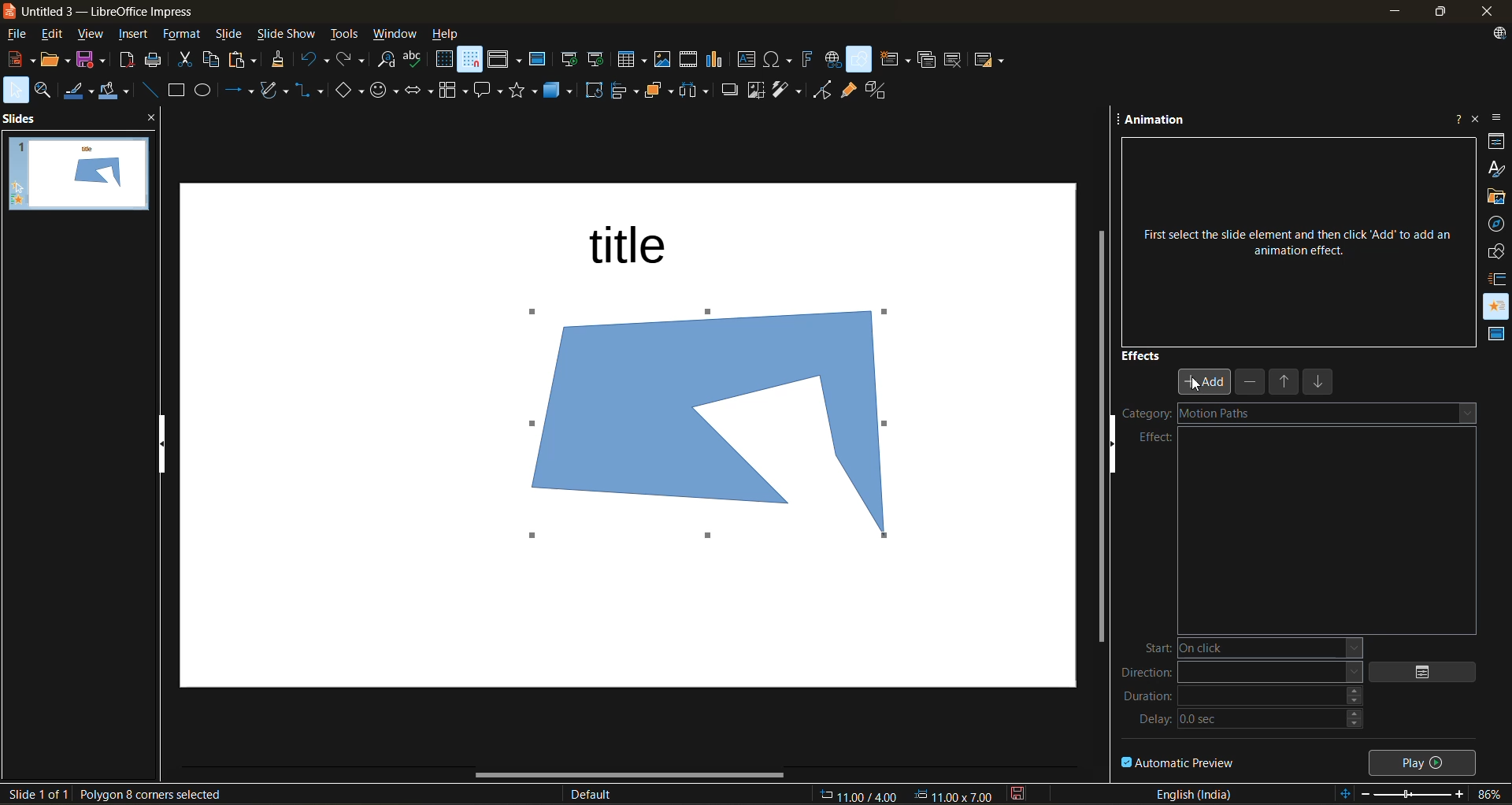  What do you see at coordinates (1454, 117) in the screenshot?
I see `help about this sidebar` at bounding box center [1454, 117].